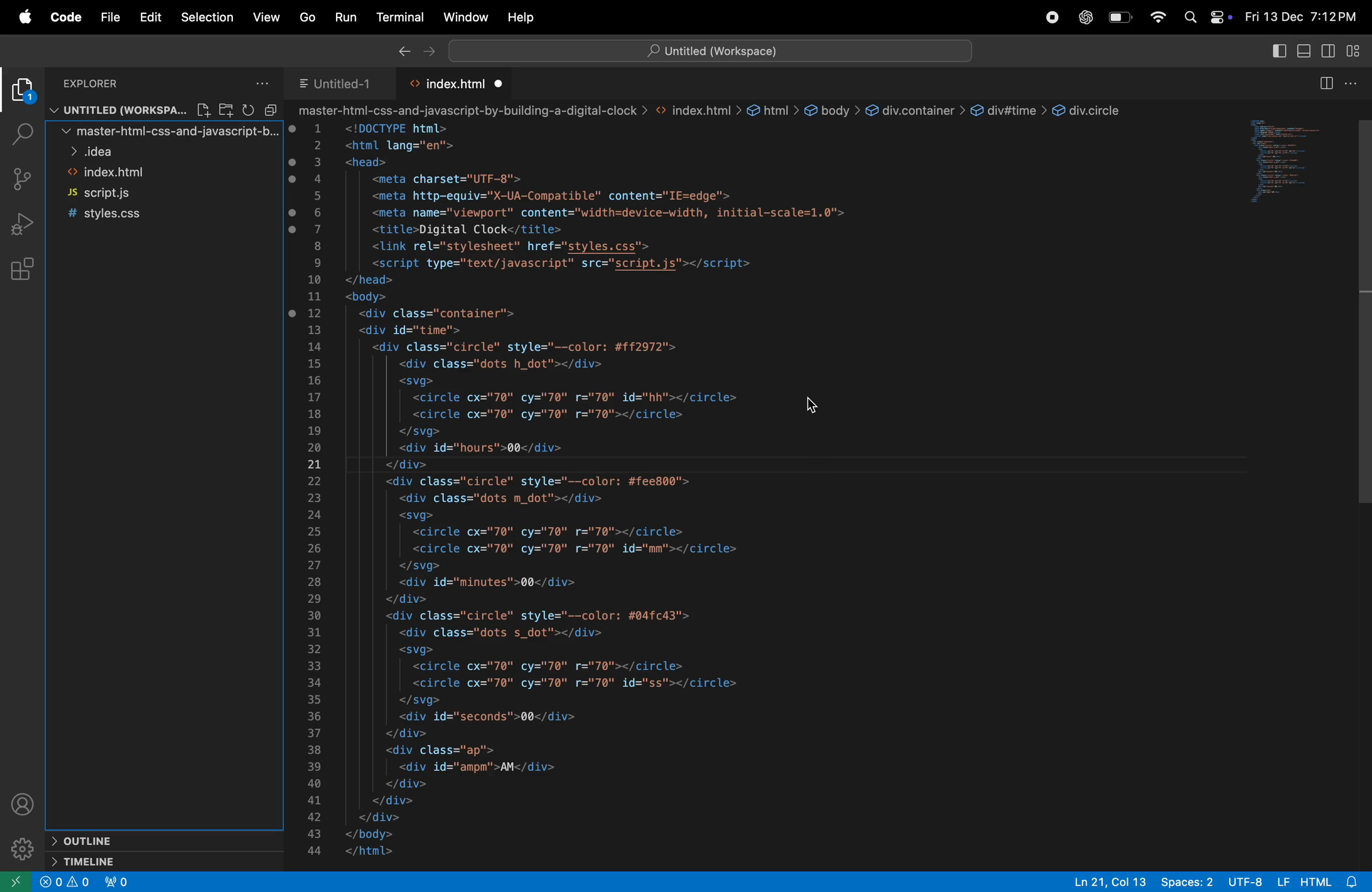  Describe the element at coordinates (460, 84) in the screenshot. I see `index.html tab` at that location.